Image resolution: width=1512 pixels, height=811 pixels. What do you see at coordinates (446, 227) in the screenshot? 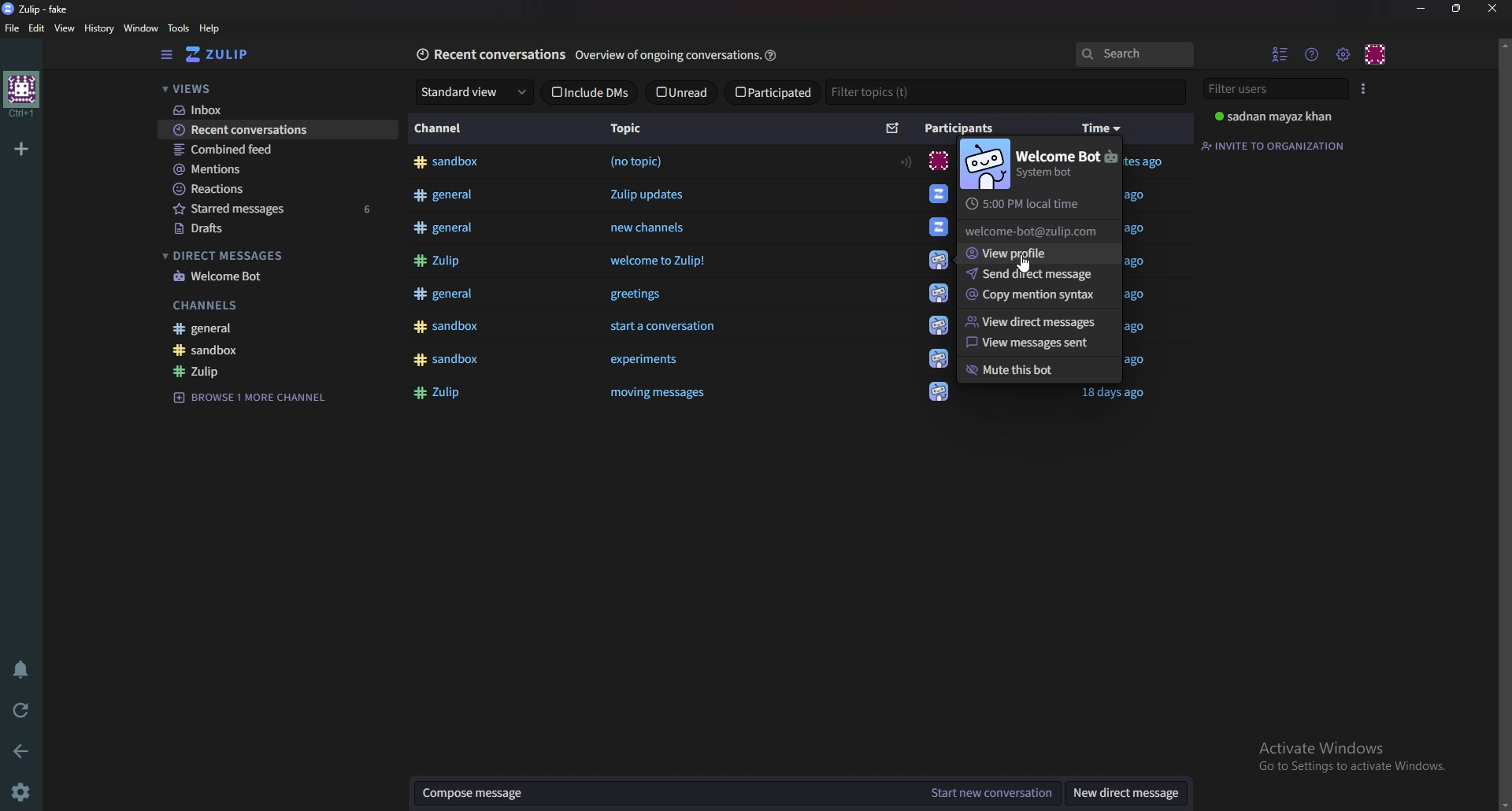
I see `# general` at bounding box center [446, 227].